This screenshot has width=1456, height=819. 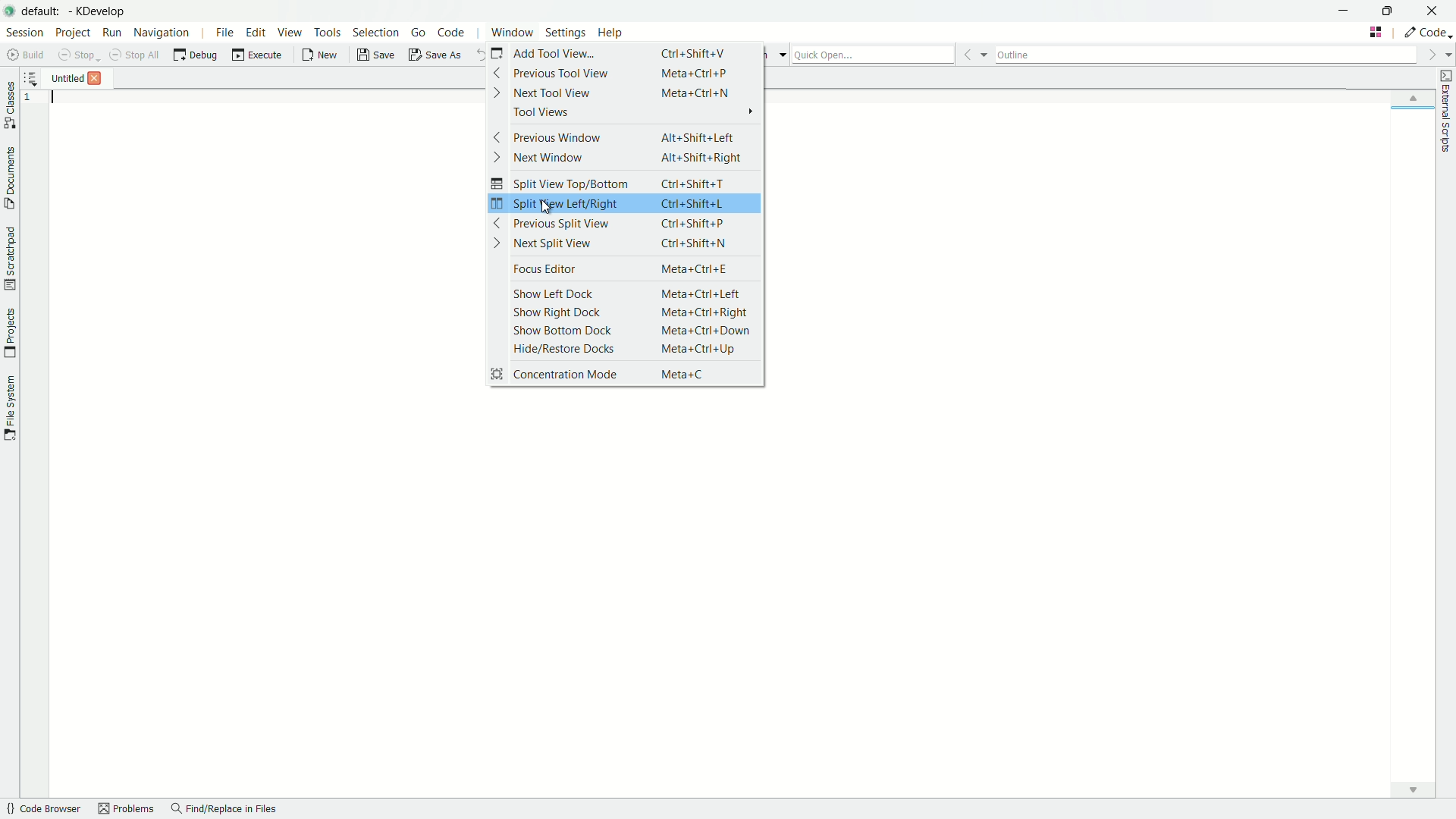 What do you see at coordinates (24, 33) in the screenshot?
I see `session menu` at bounding box center [24, 33].